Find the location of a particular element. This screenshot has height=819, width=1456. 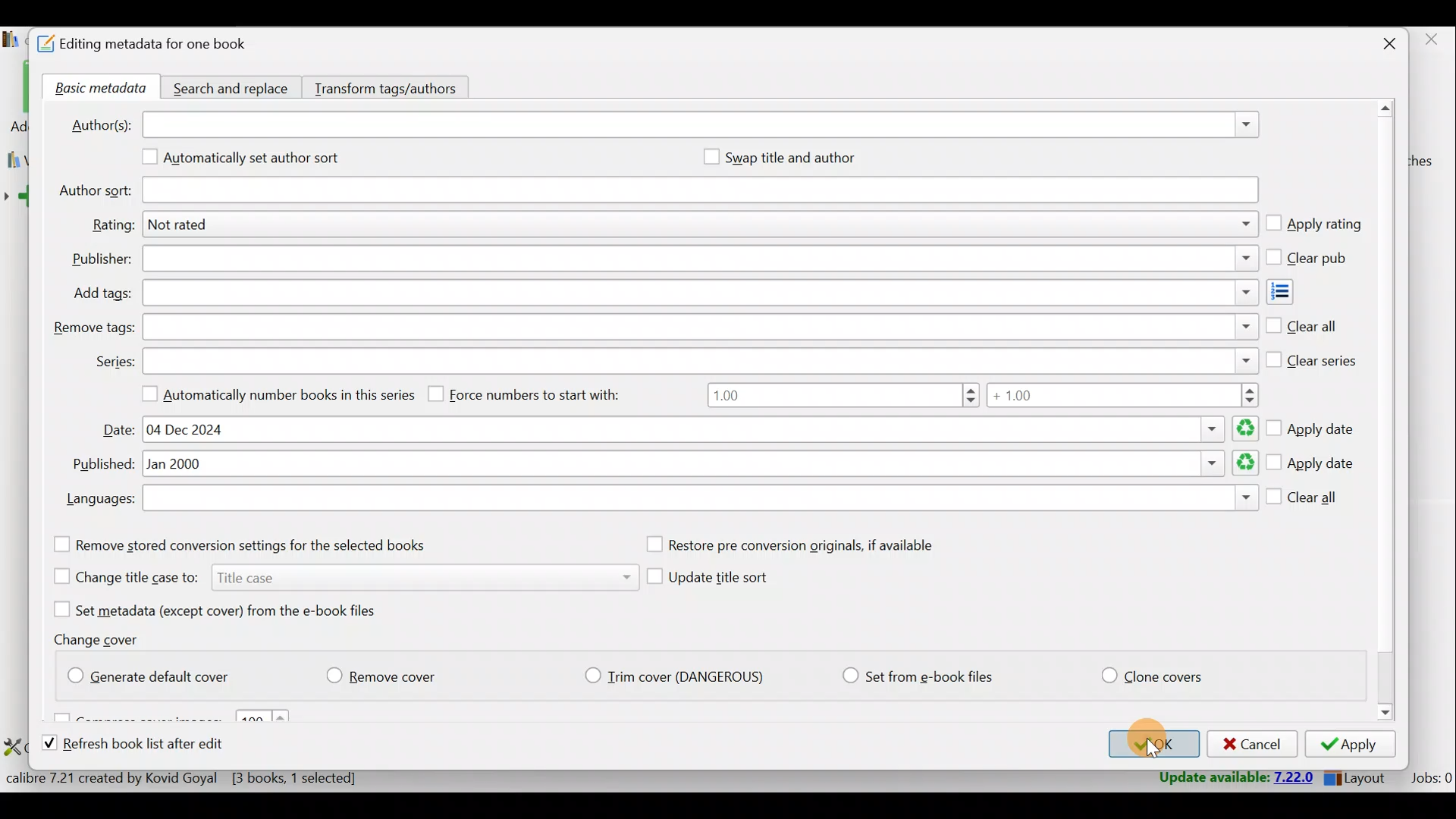

Author sort is located at coordinates (699, 191).